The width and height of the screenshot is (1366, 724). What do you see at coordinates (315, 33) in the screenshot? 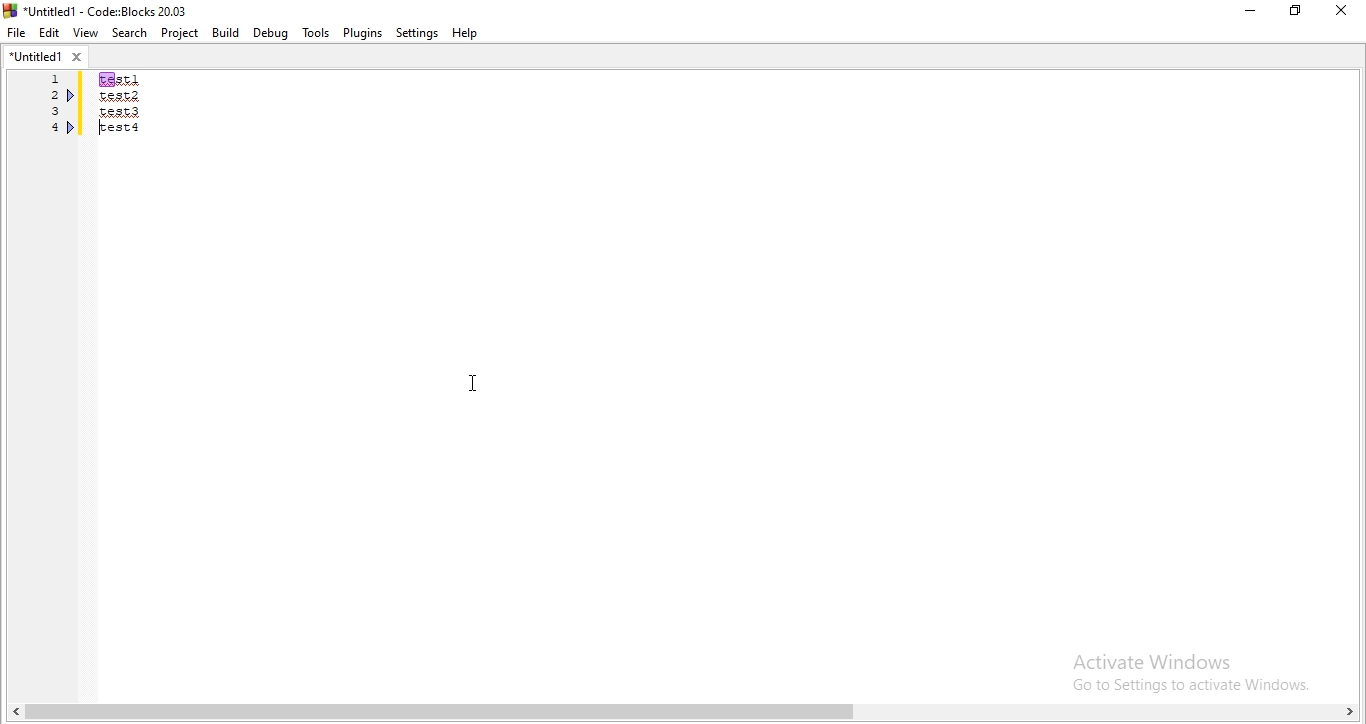
I see `Tools ` at bounding box center [315, 33].